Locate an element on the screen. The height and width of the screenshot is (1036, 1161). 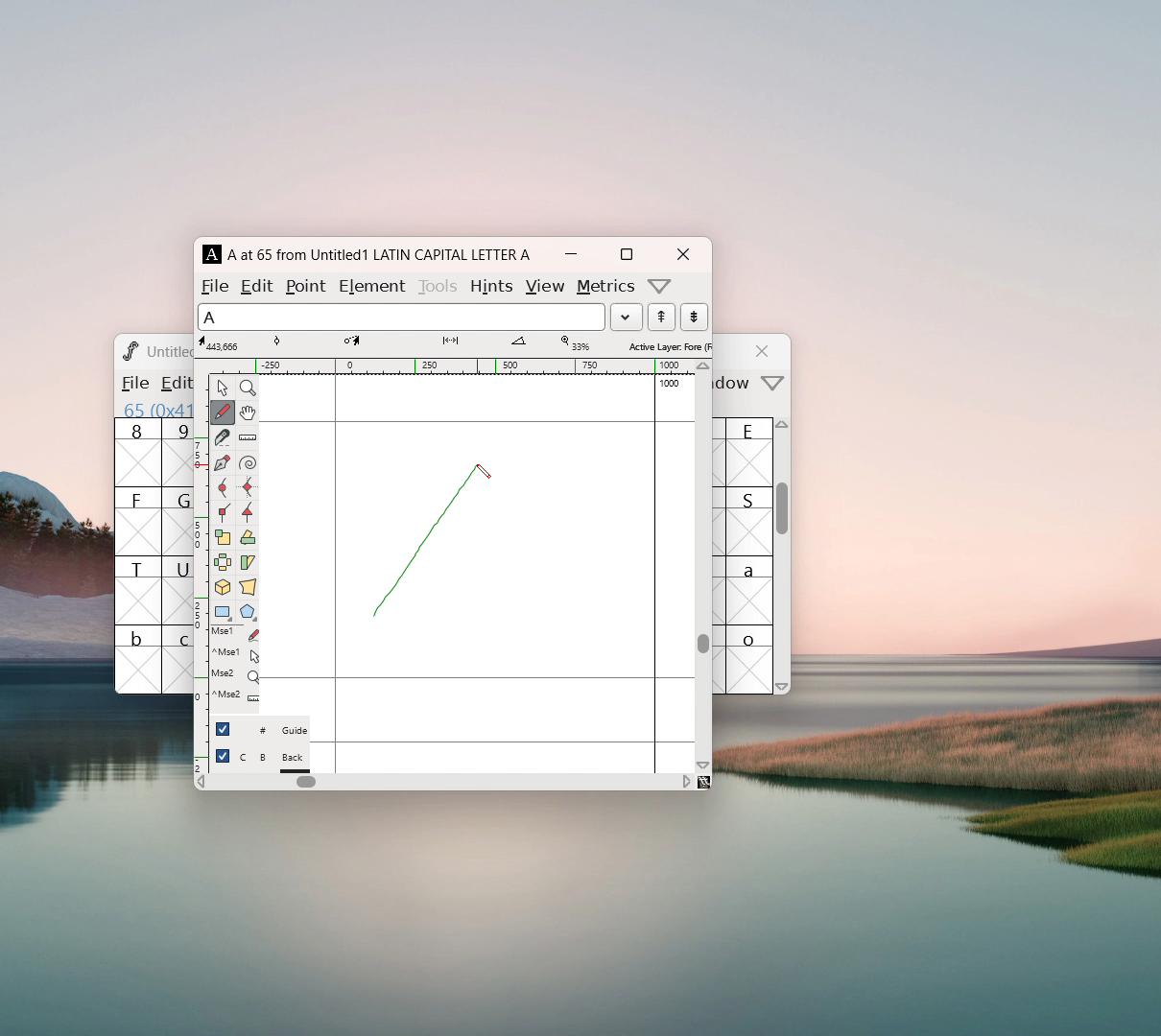
a is located at coordinates (750, 590).